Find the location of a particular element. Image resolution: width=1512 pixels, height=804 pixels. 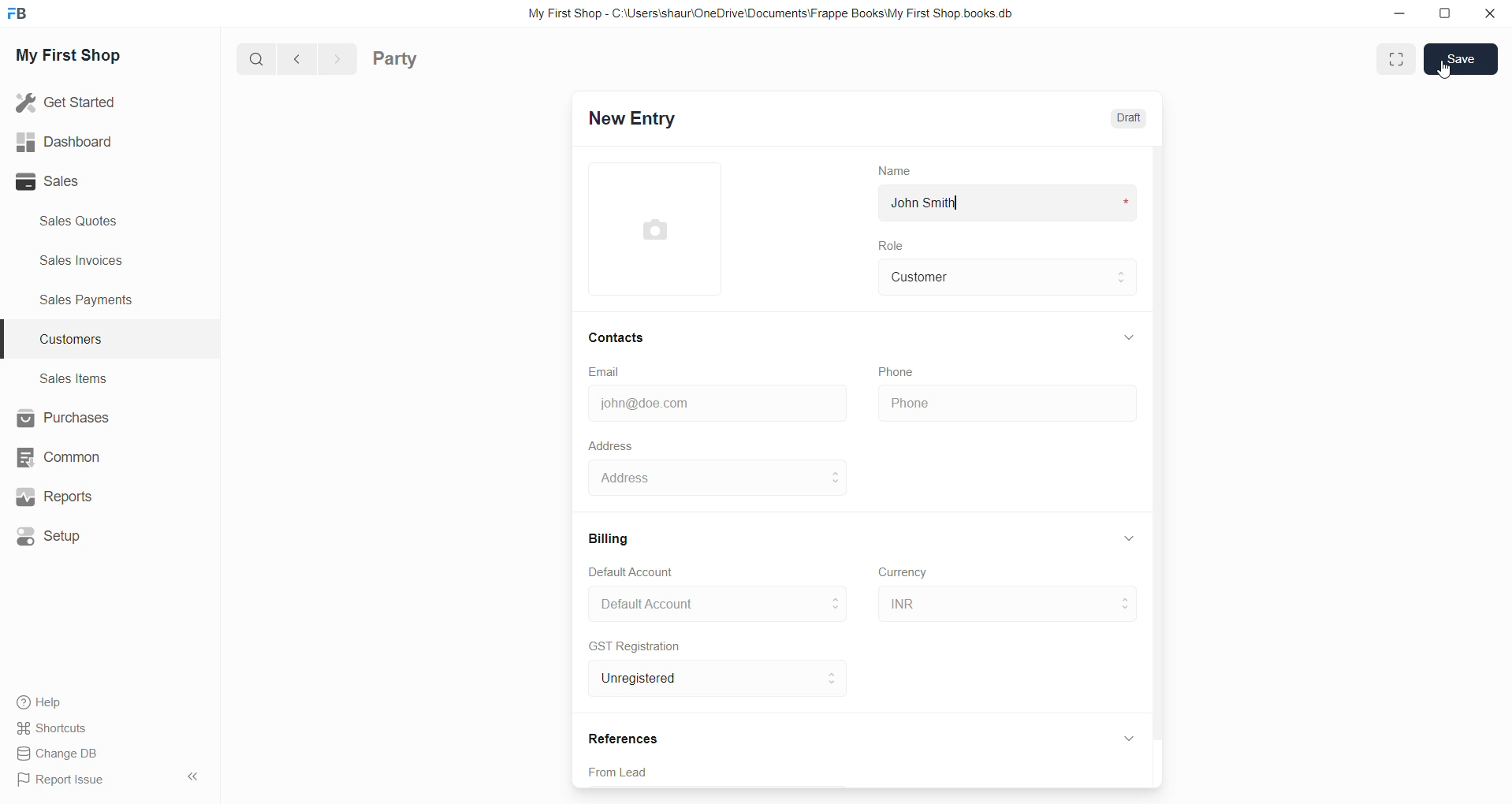

Report Issue is located at coordinates (61, 779).